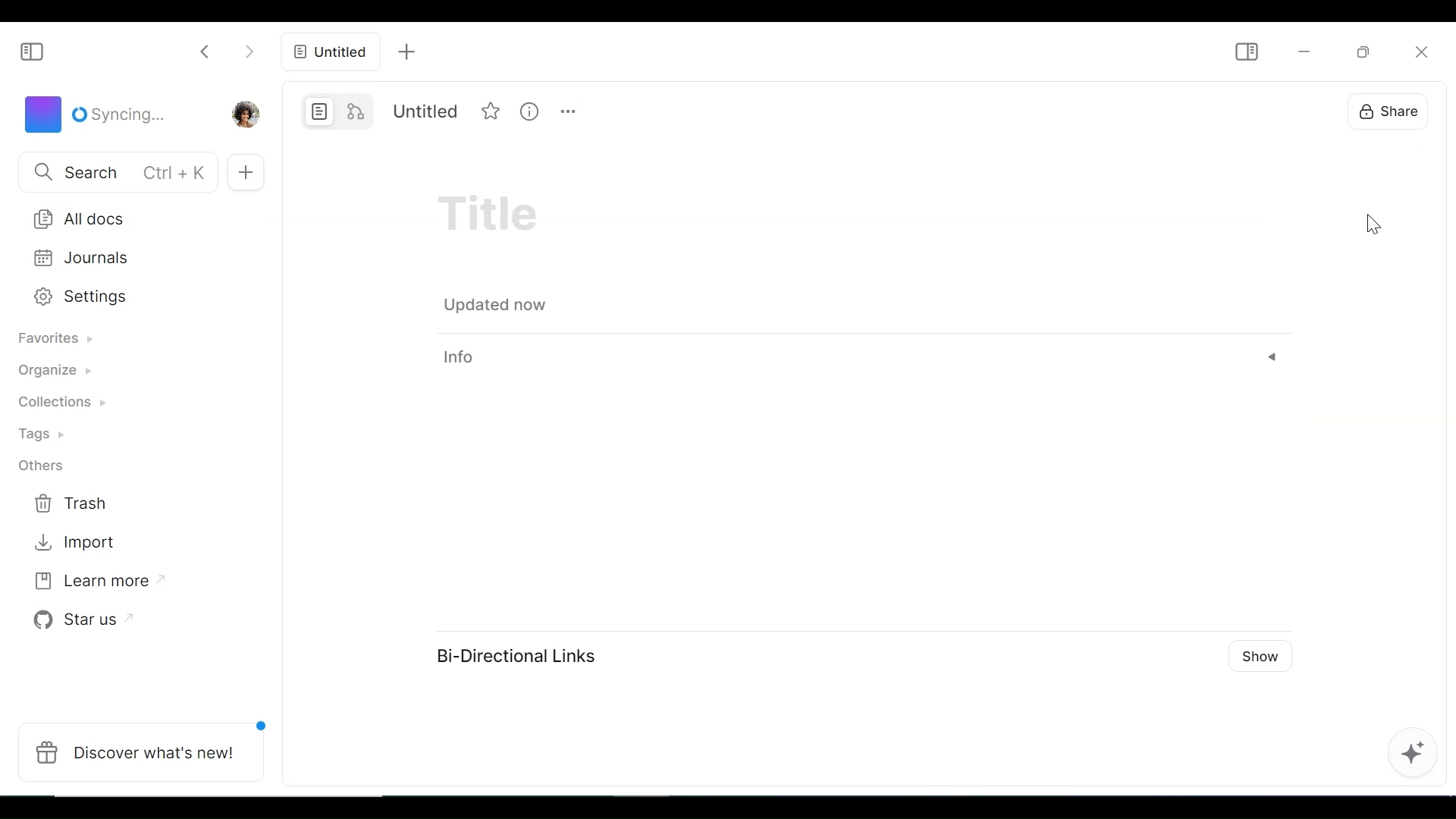 This screenshot has width=1456, height=819. What do you see at coordinates (493, 111) in the screenshot?
I see `Favorite` at bounding box center [493, 111].